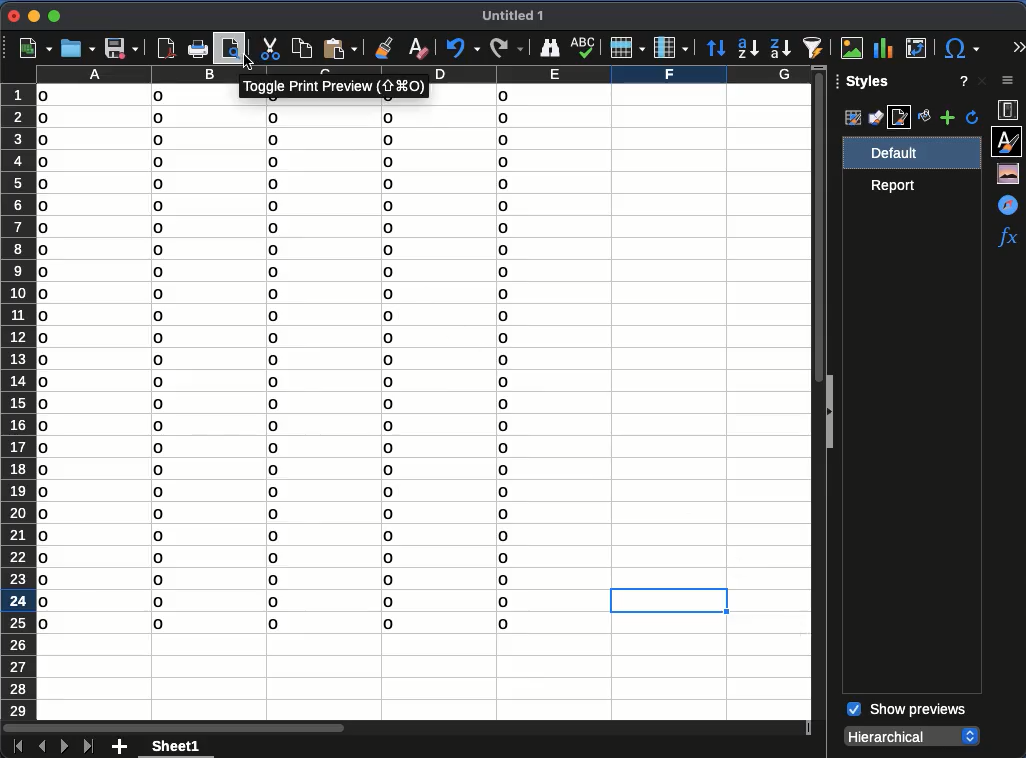 Image resolution: width=1026 pixels, height=758 pixels. I want to click on sort, so click(715, 48).